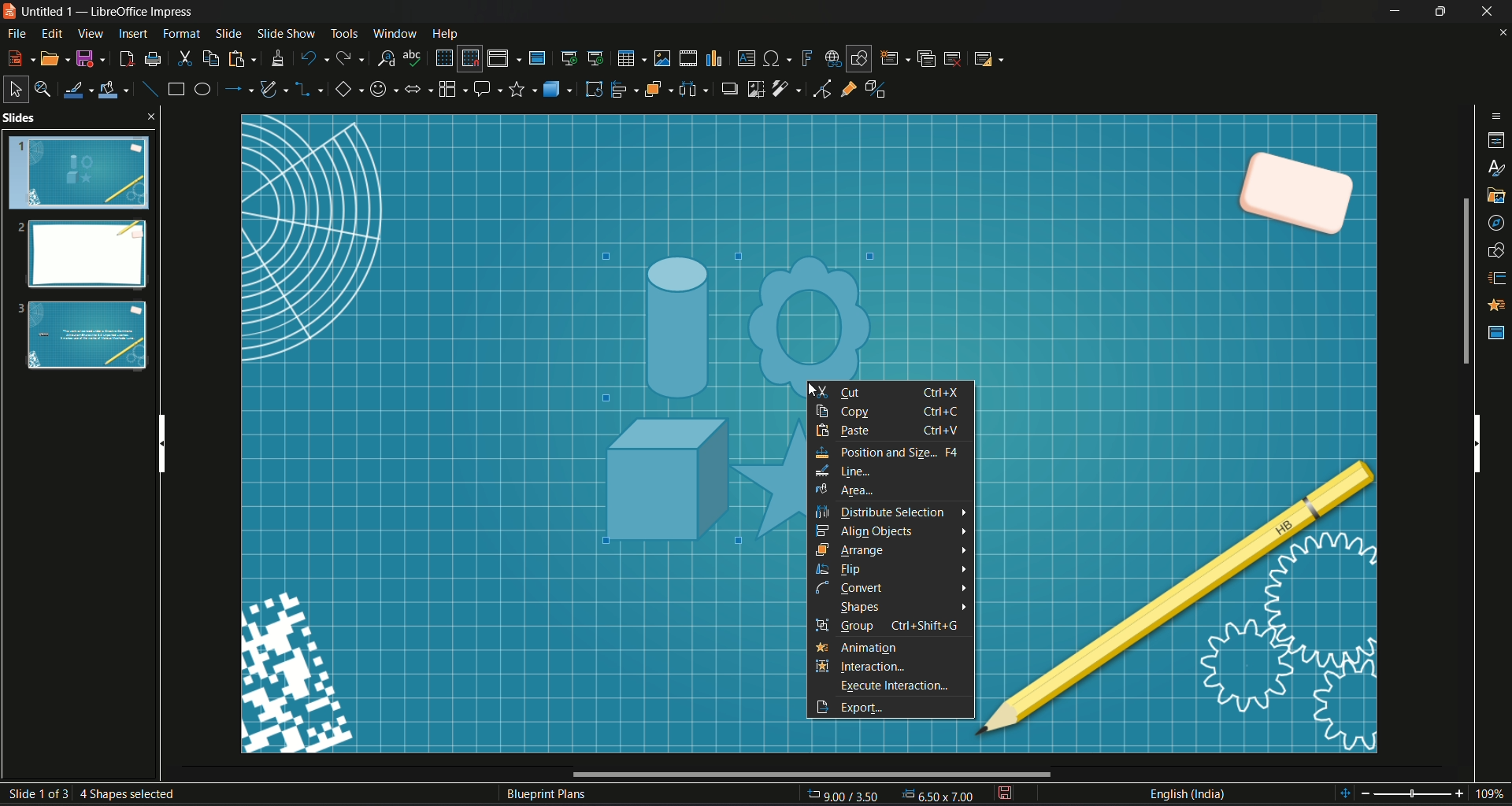 Image resolution: width=1512 pixels, height=806 pixels. What do you see at coordinates (823, 707) in the screenshot?
I see `export` at bounding box center [823, 707].